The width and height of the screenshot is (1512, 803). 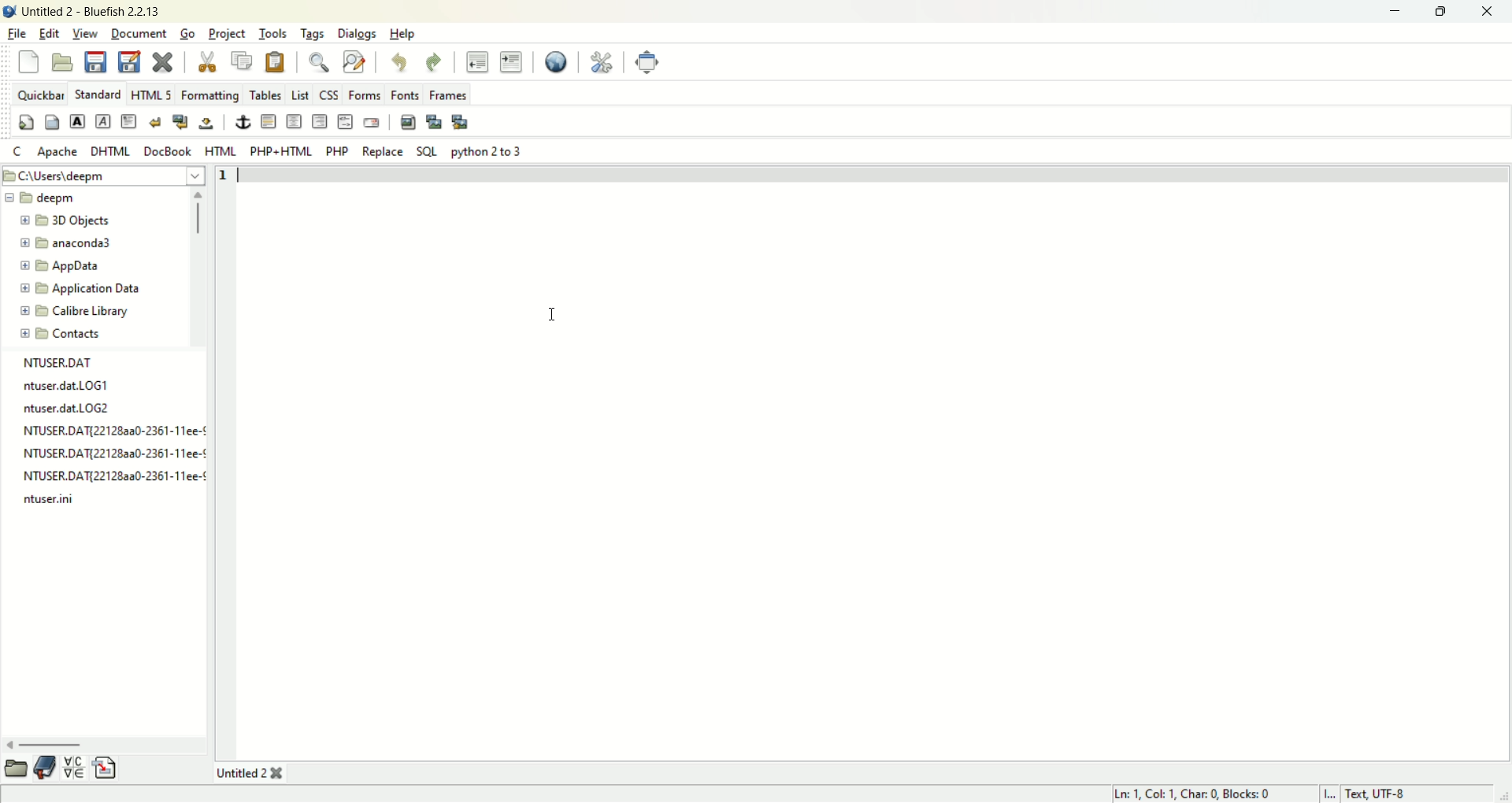 I want to click on cut, so click(x=206, y=57).